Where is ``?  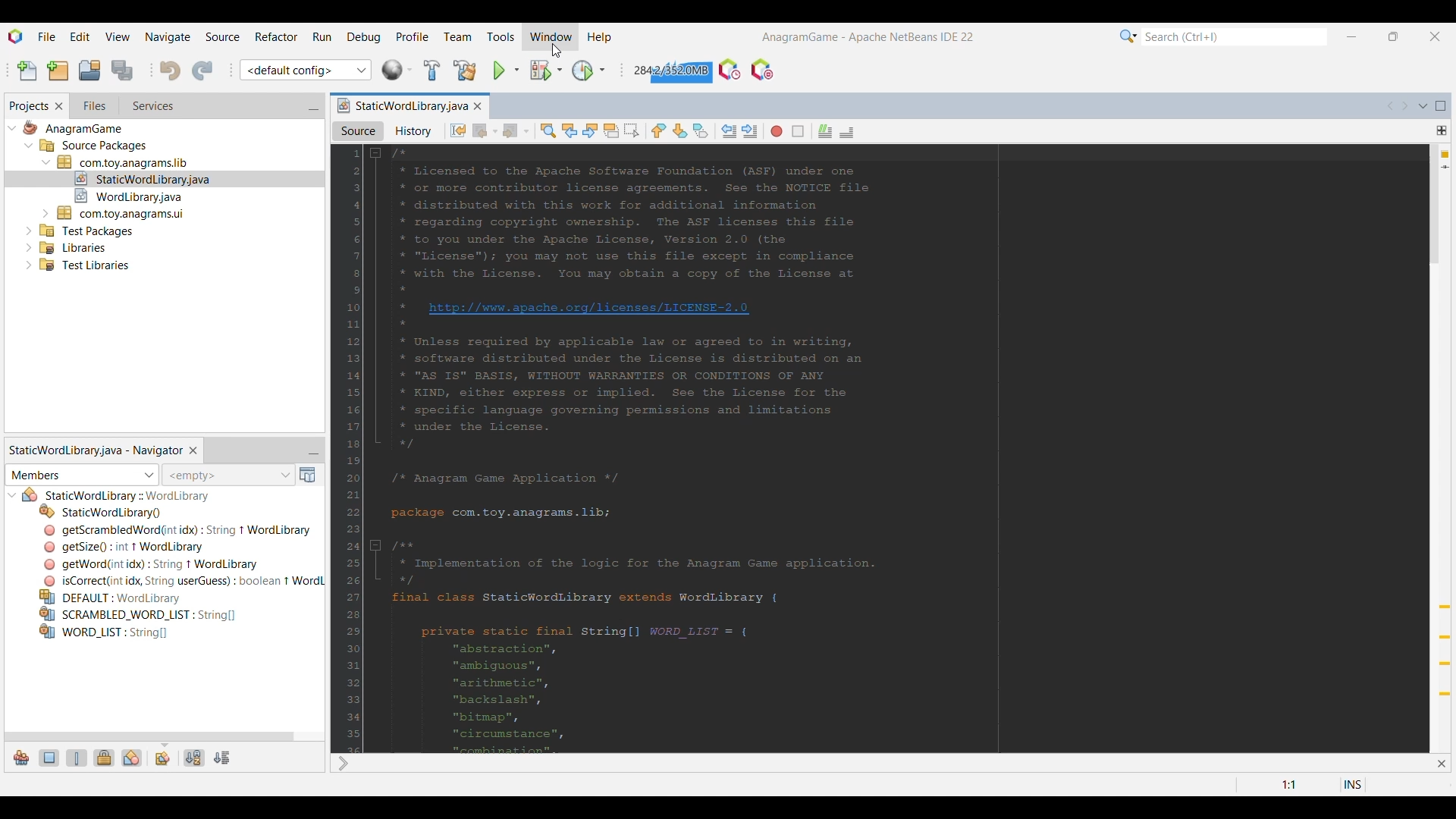
 is located at coordinates (156, 563).